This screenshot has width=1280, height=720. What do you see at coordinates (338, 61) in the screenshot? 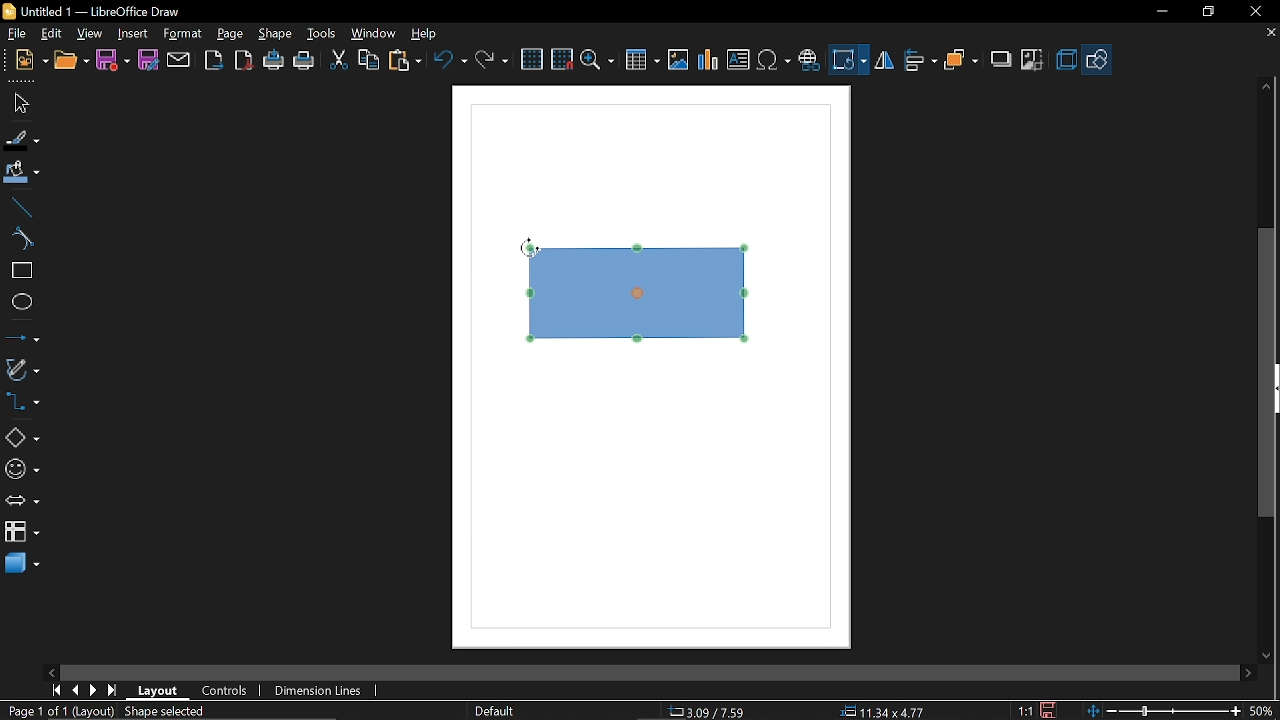
I see `Cut` at bounding box center [338, 61].